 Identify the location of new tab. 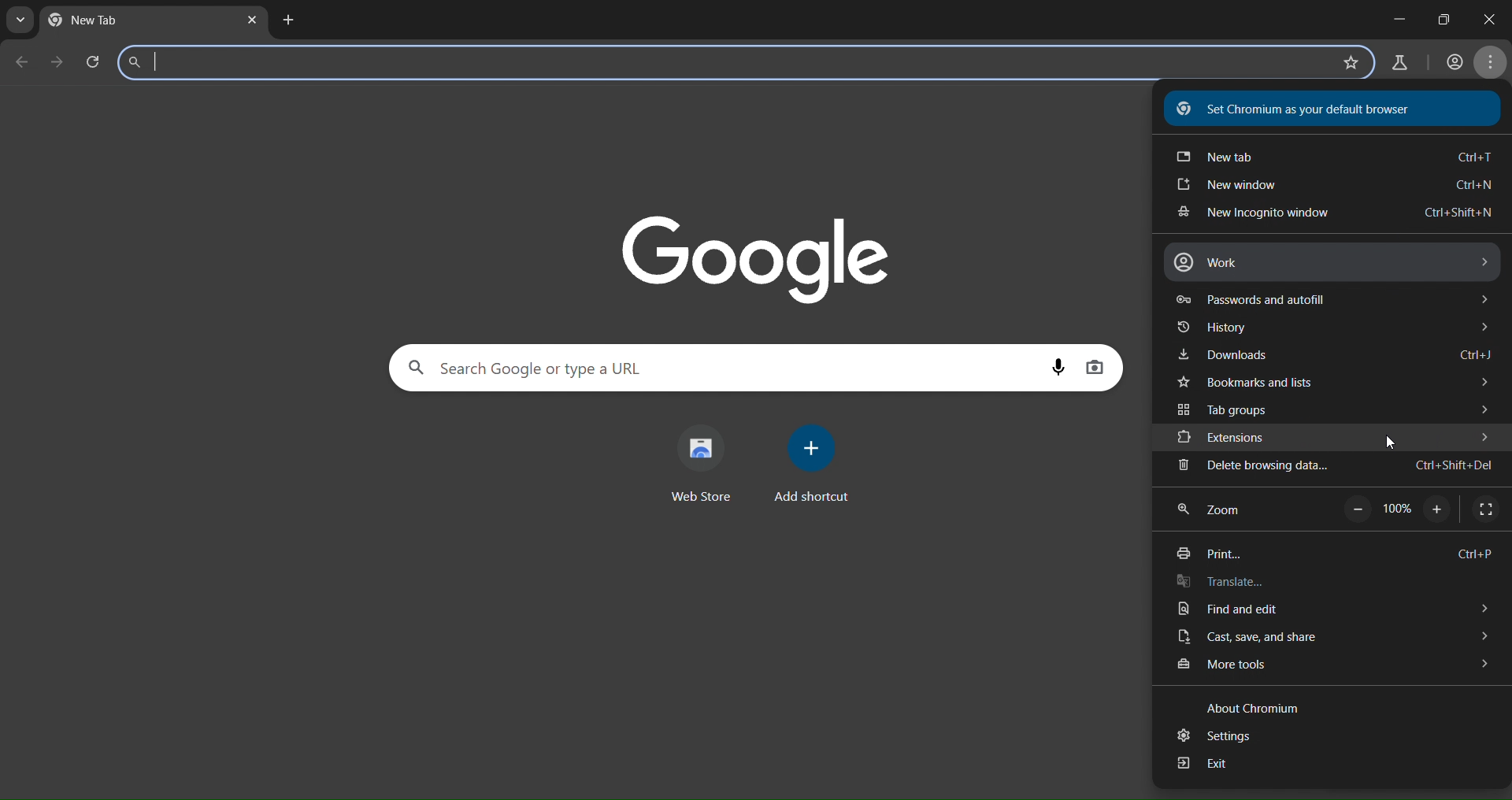
(1332, 156).